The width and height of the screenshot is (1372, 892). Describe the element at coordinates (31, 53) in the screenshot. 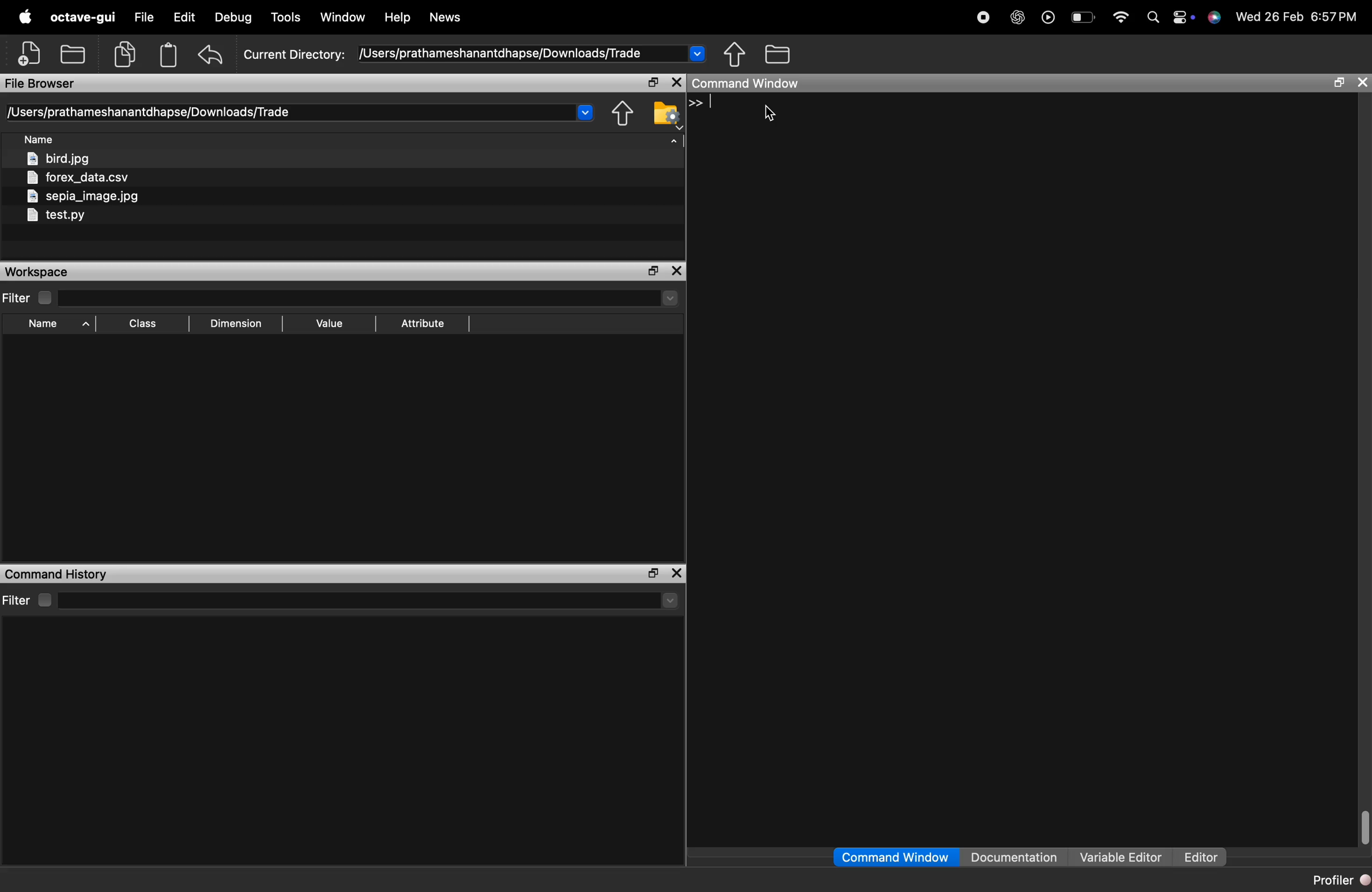

I see `new script` at that location.